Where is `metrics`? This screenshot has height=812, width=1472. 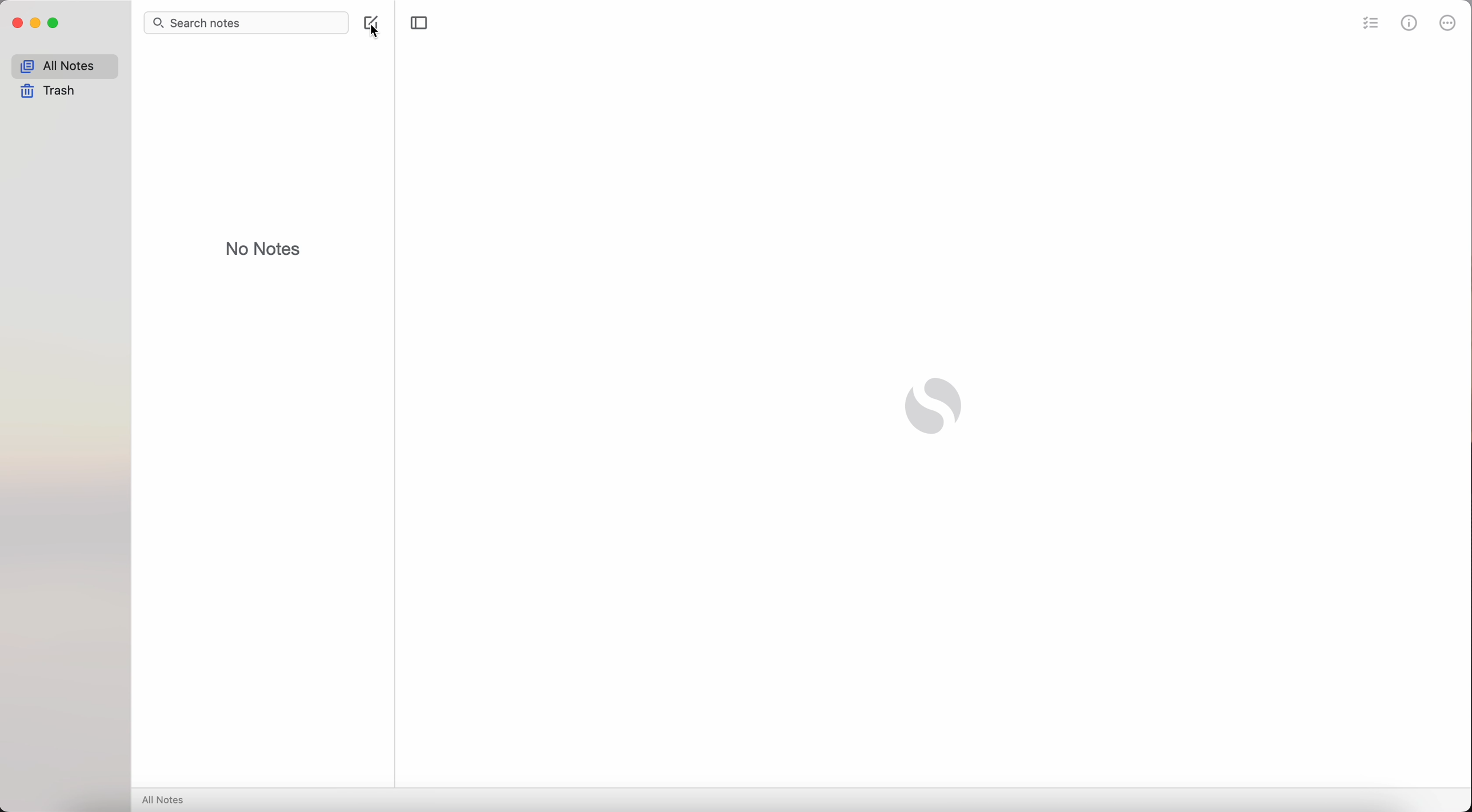
metrics is located at coordinates (1410, 22).